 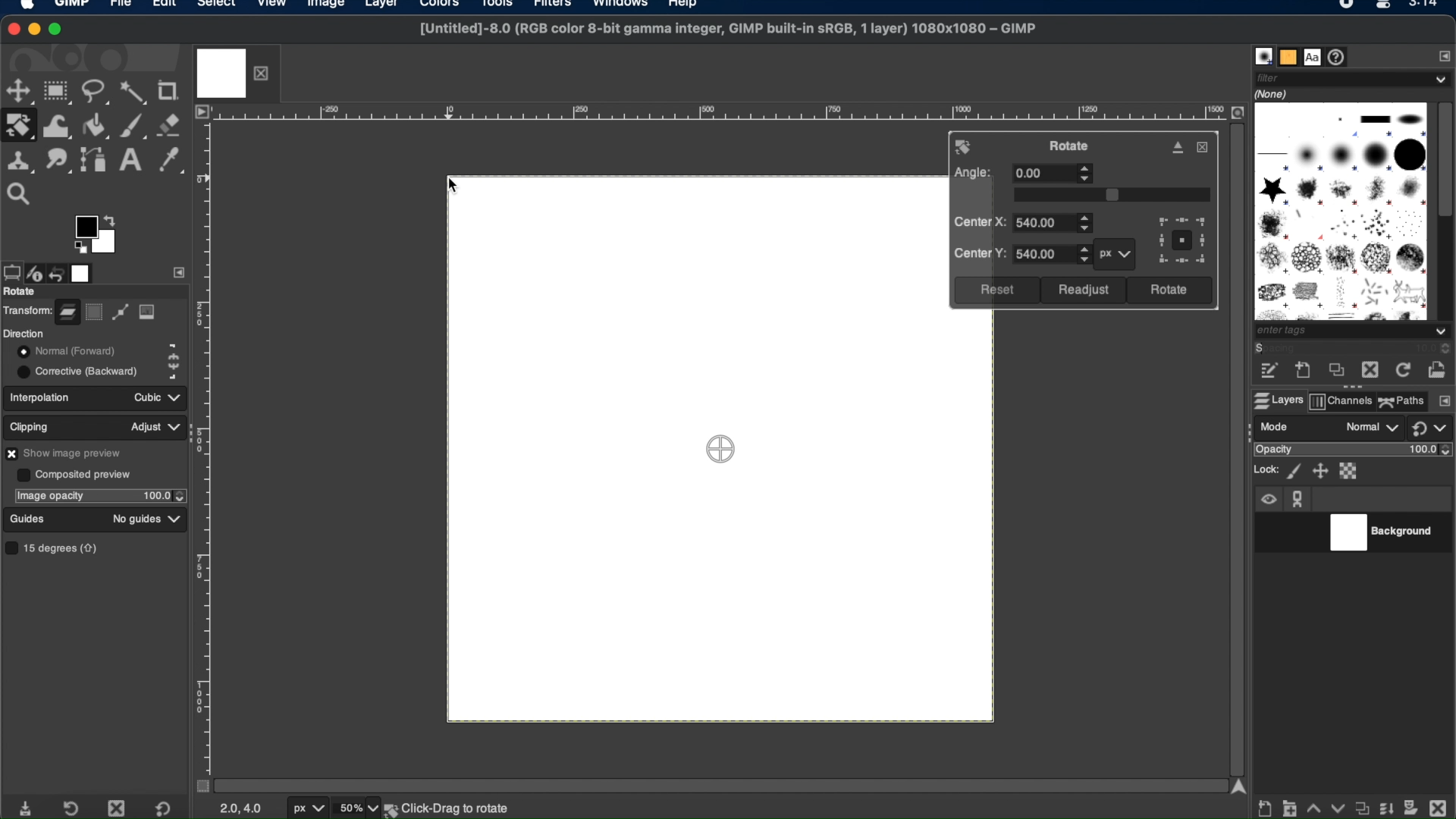 What do you see at coordinates (1288, 56) in the screenshot?
I see `patterns` at bounding box center [1288, 56].